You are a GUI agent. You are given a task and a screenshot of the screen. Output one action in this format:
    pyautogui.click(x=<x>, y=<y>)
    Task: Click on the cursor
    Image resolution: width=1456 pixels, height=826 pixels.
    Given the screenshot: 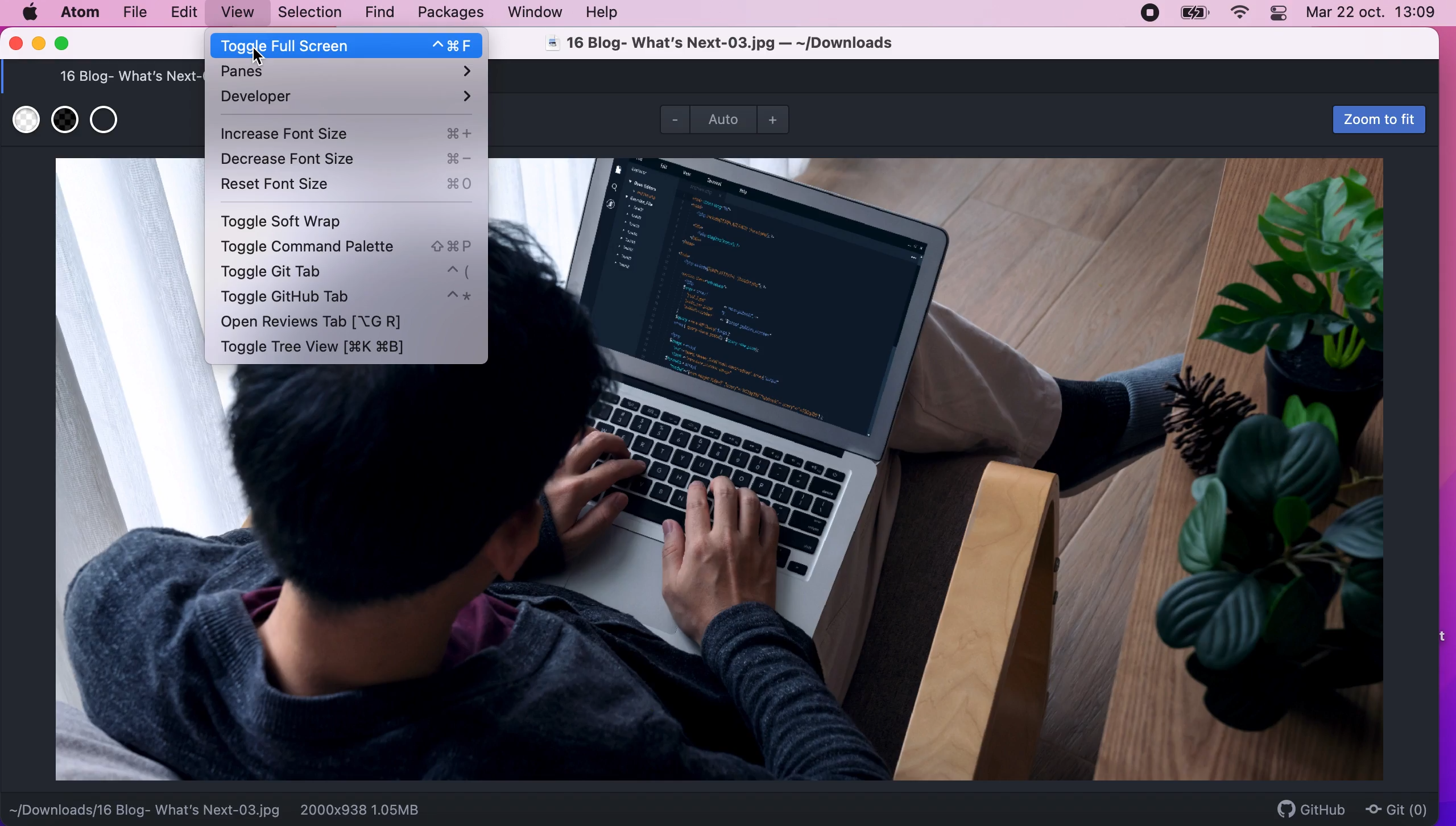 What is the action you would take?
    pyautogui.click(x=261, y=57)
    